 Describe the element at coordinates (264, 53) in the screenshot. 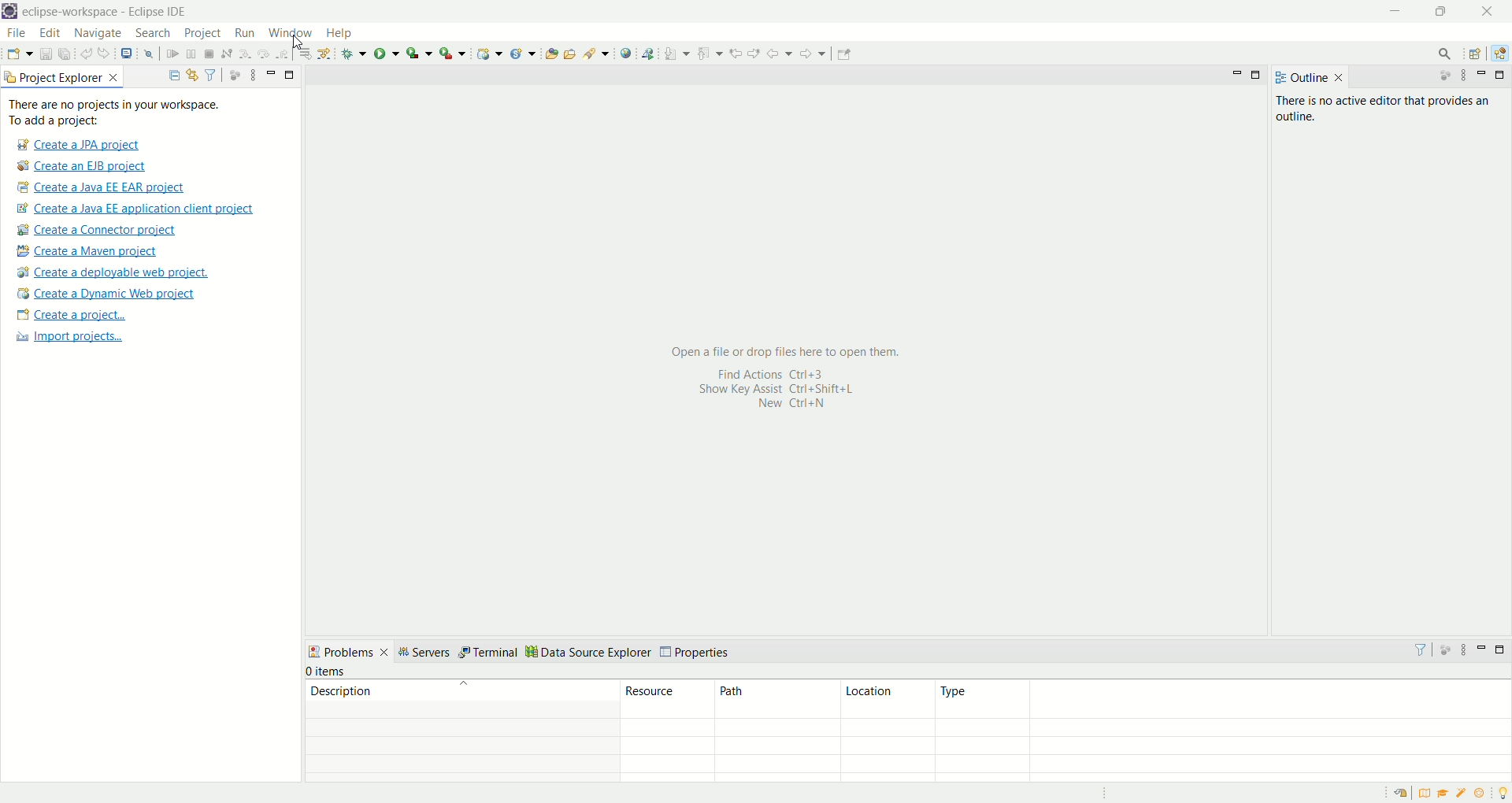

I see `step over` at that location.